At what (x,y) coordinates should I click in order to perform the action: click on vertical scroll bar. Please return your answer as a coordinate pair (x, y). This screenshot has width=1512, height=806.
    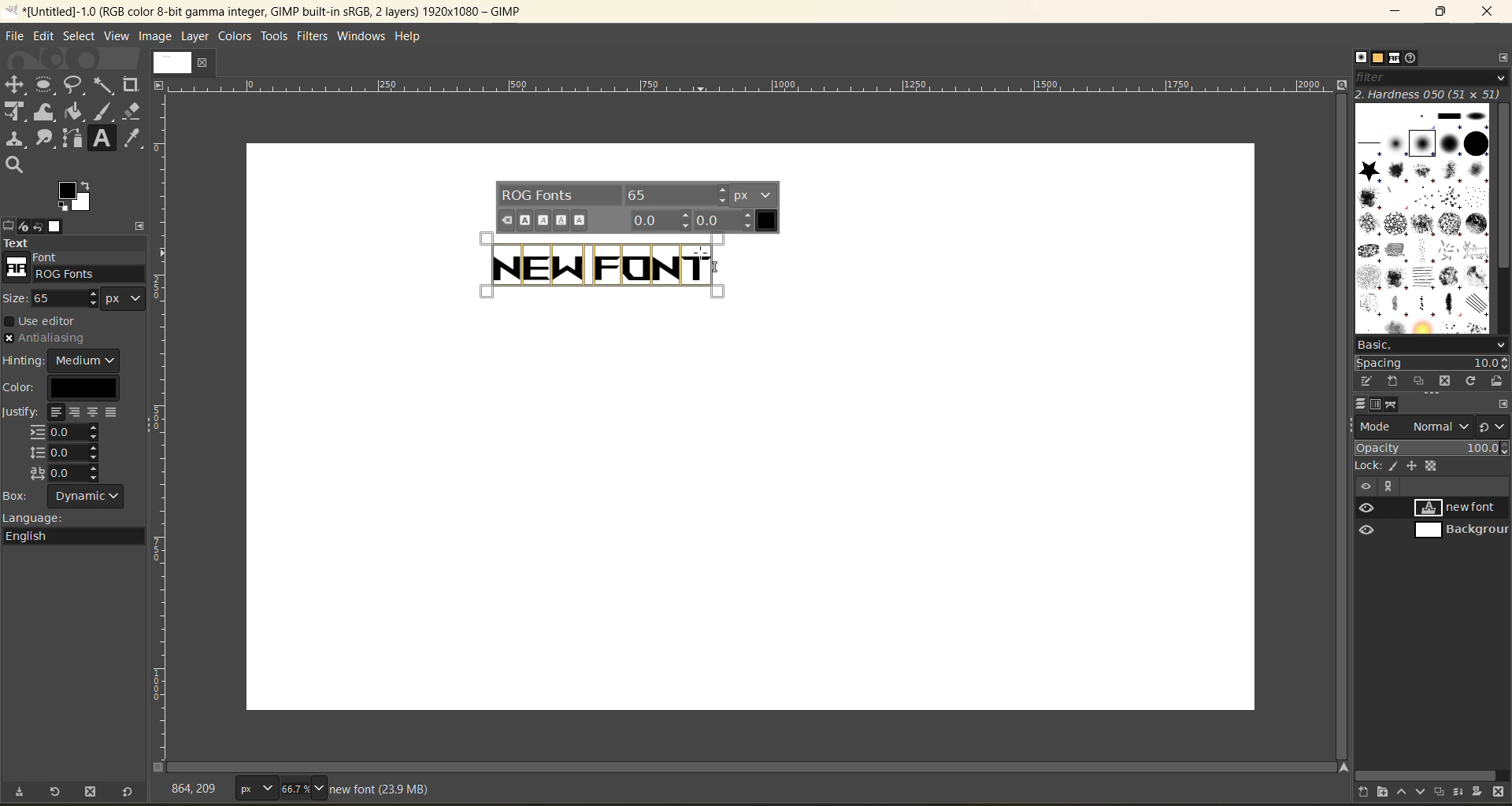
    Looking at the image, I should click on (1503, 189).